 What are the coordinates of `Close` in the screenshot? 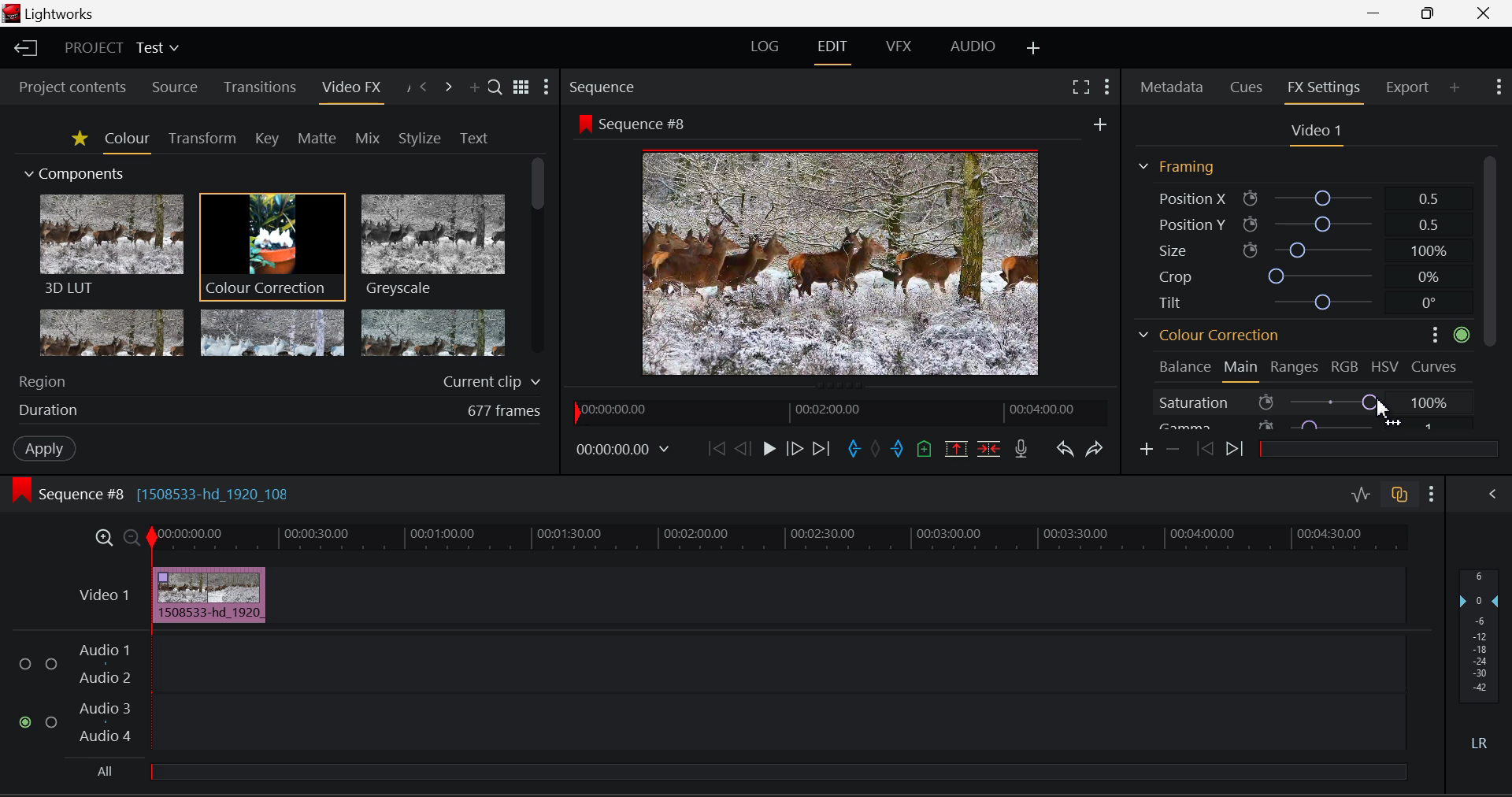 It's located at (1483, 14).